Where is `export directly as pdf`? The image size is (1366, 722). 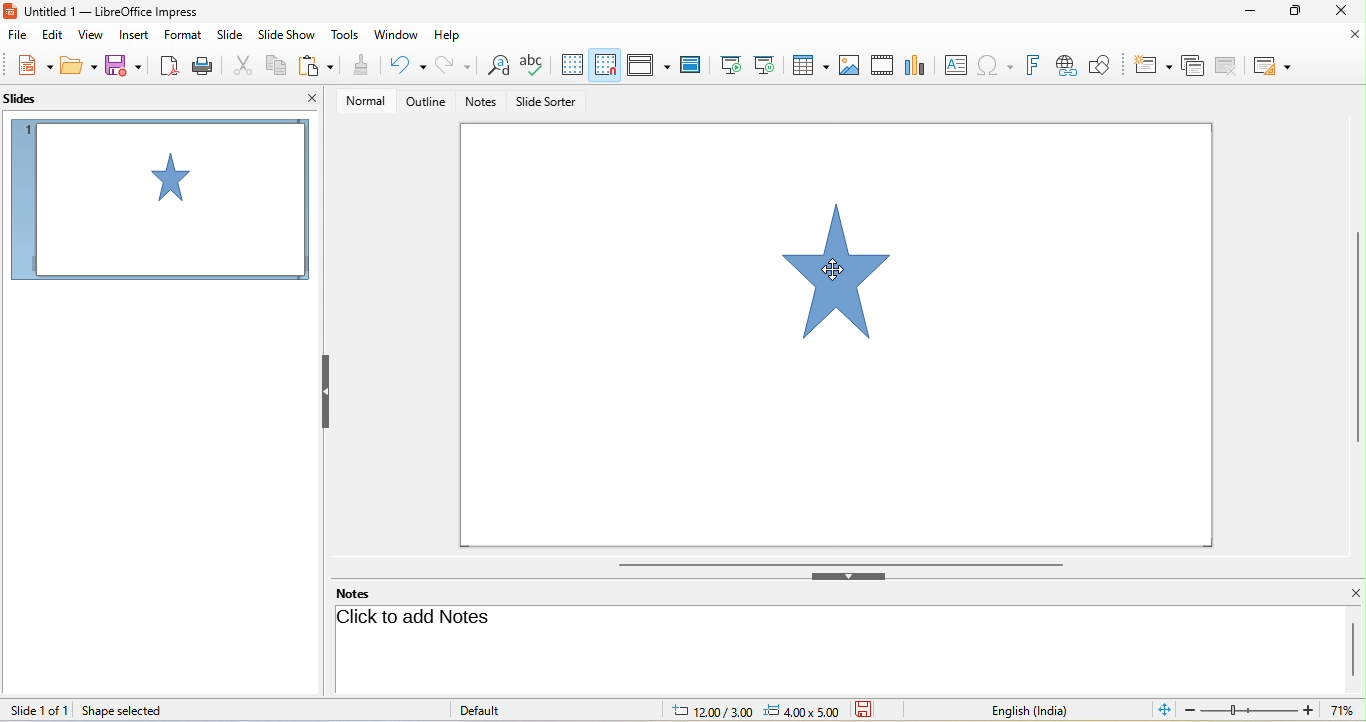 export directly as pdf is located at coordinates (166, 67).